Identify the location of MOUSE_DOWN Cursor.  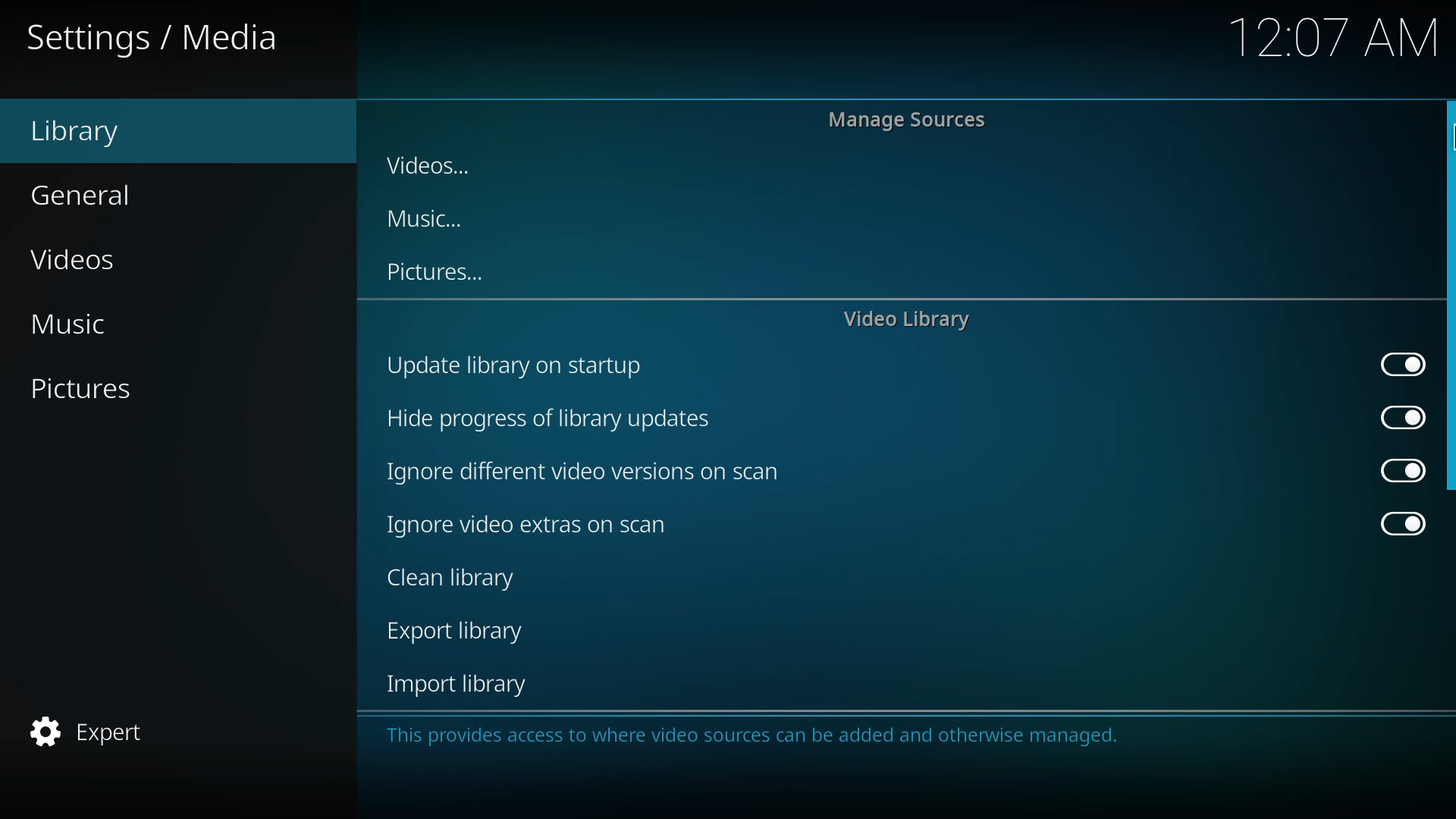
(1447, 130).